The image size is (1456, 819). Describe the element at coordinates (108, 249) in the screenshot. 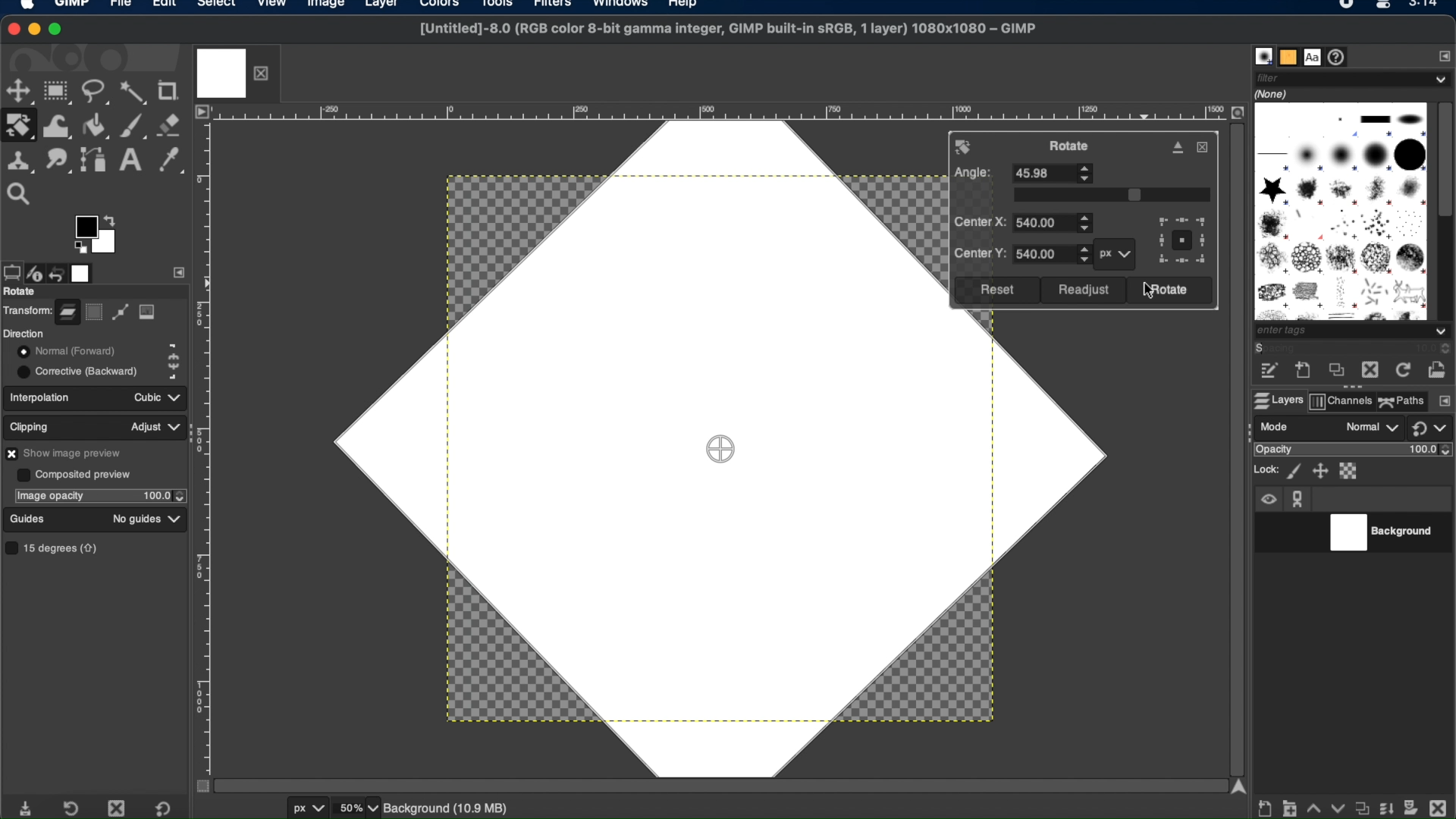

I see `active background color` at that location.